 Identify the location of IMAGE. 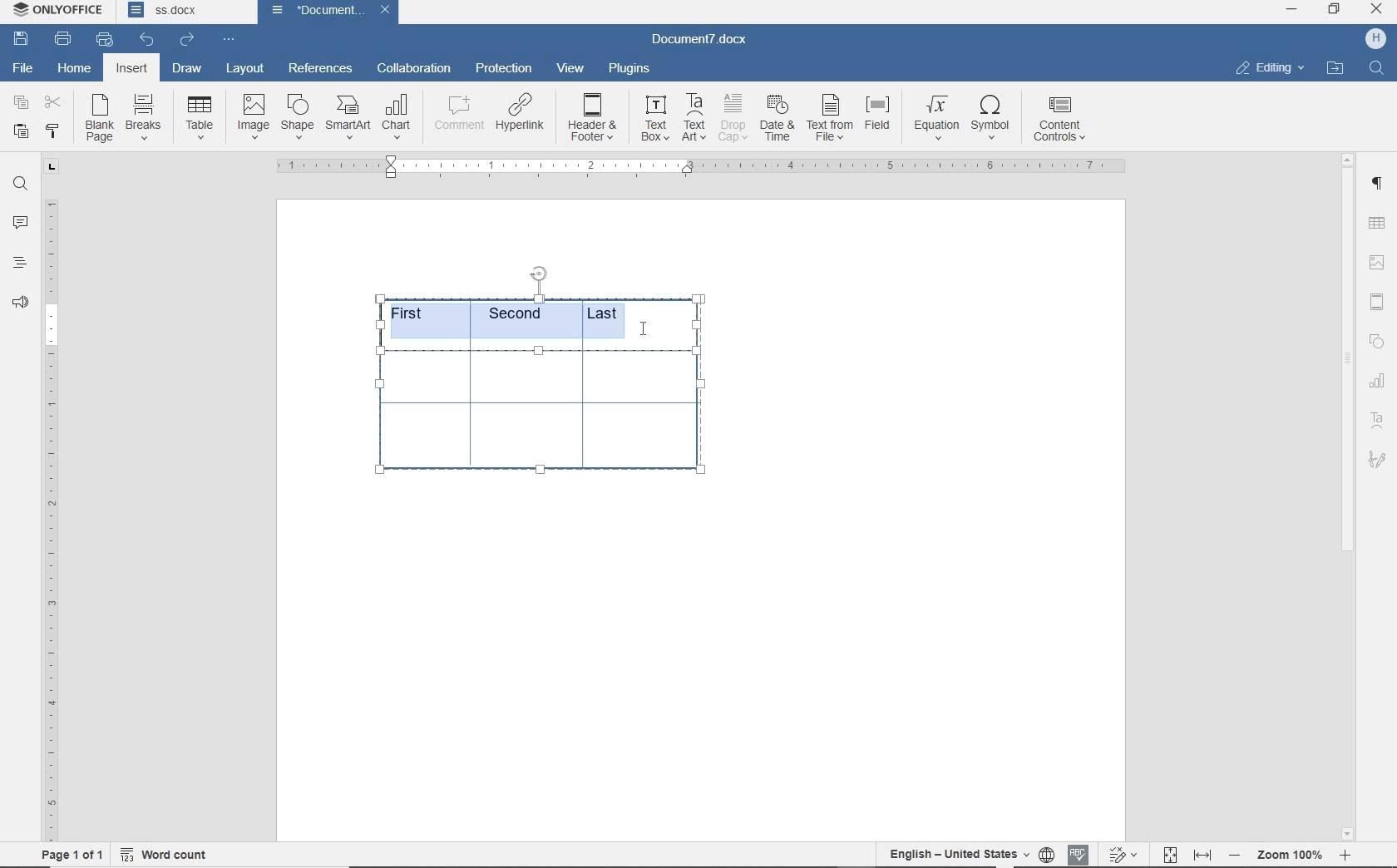
(1378, 262).